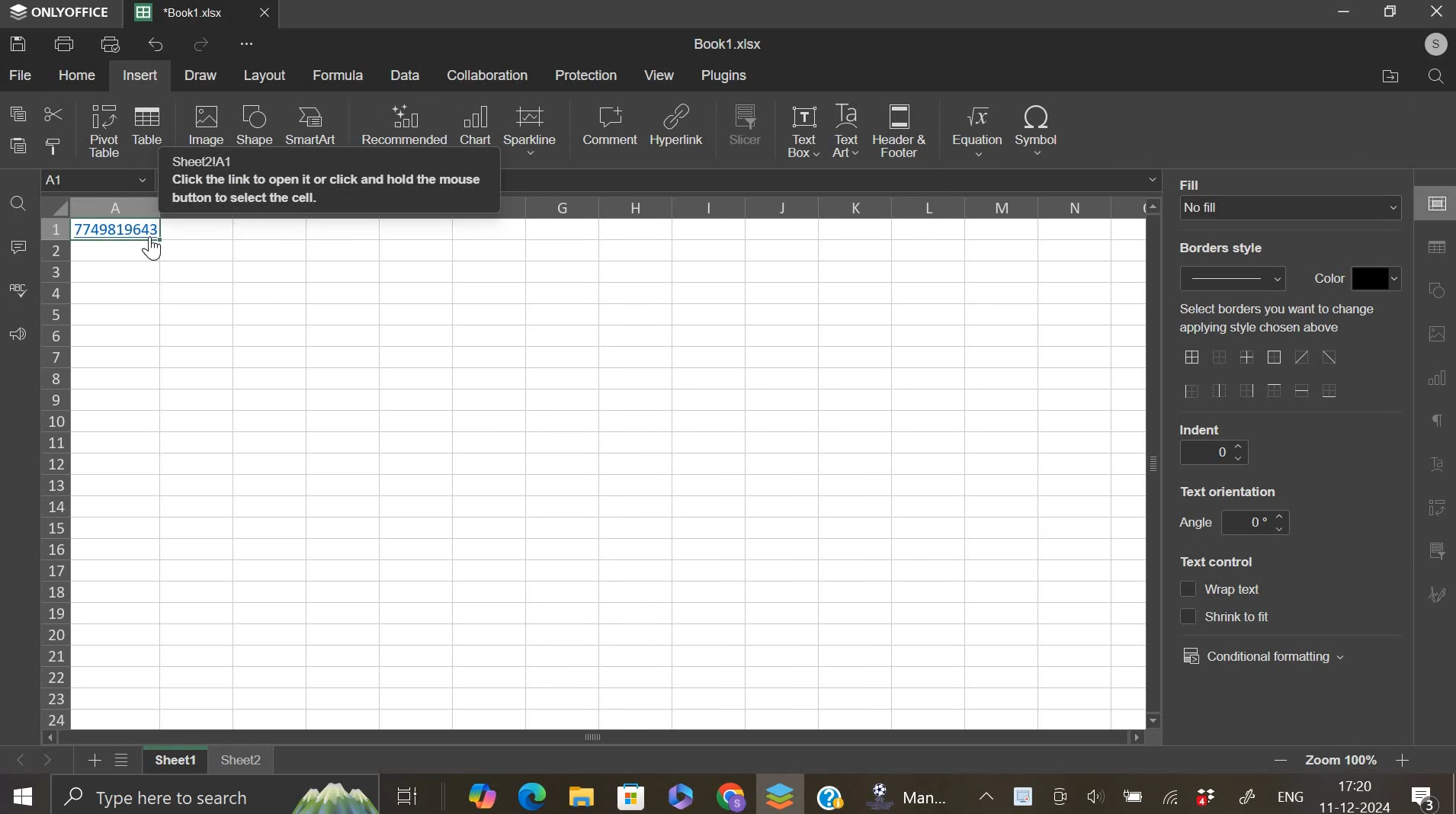  What do you see at coordinates (1324, 279) in the screenshot?
I see `text` at bounding box center [1324, 279].